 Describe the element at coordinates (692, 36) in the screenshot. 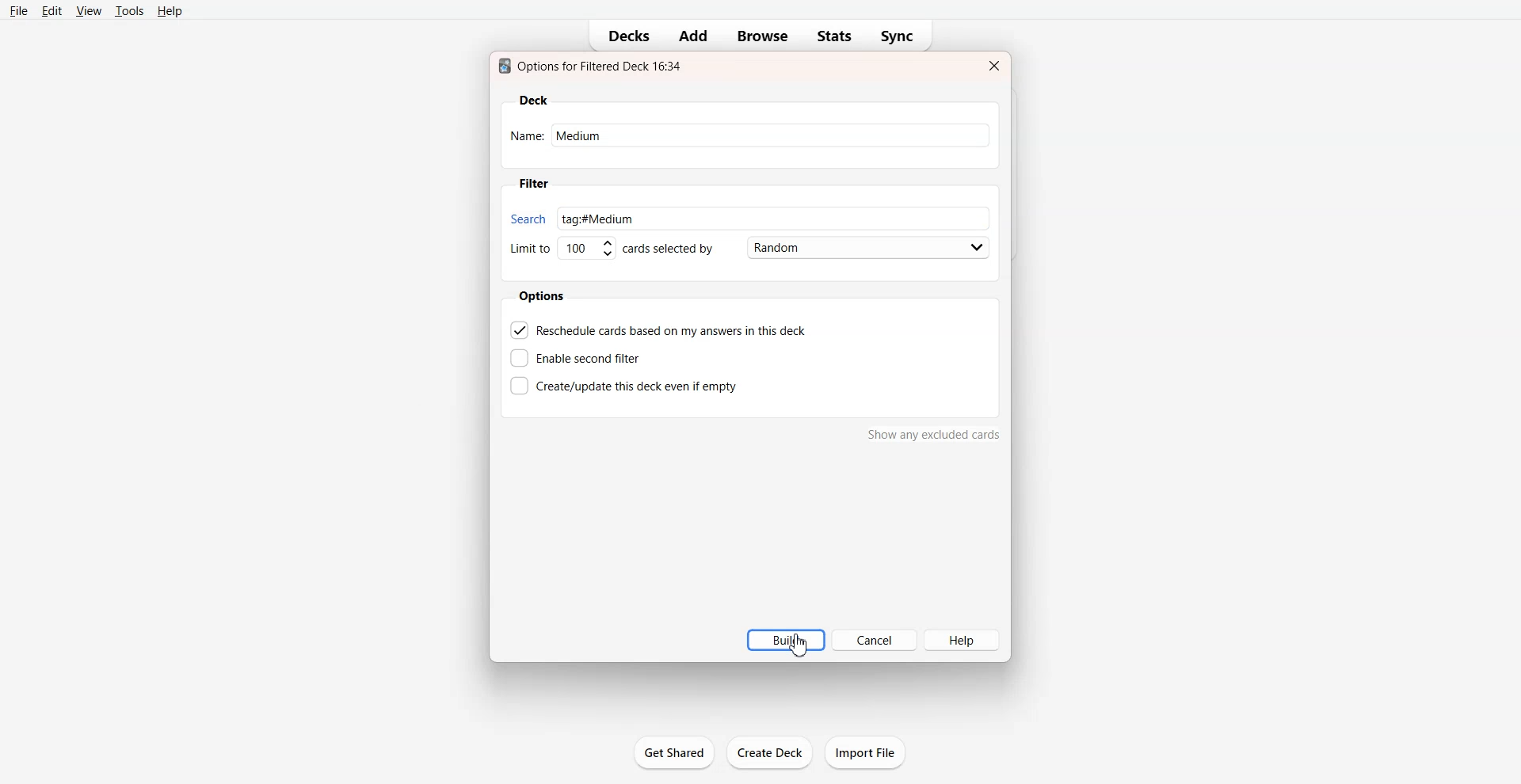

I see `Add` at that location.